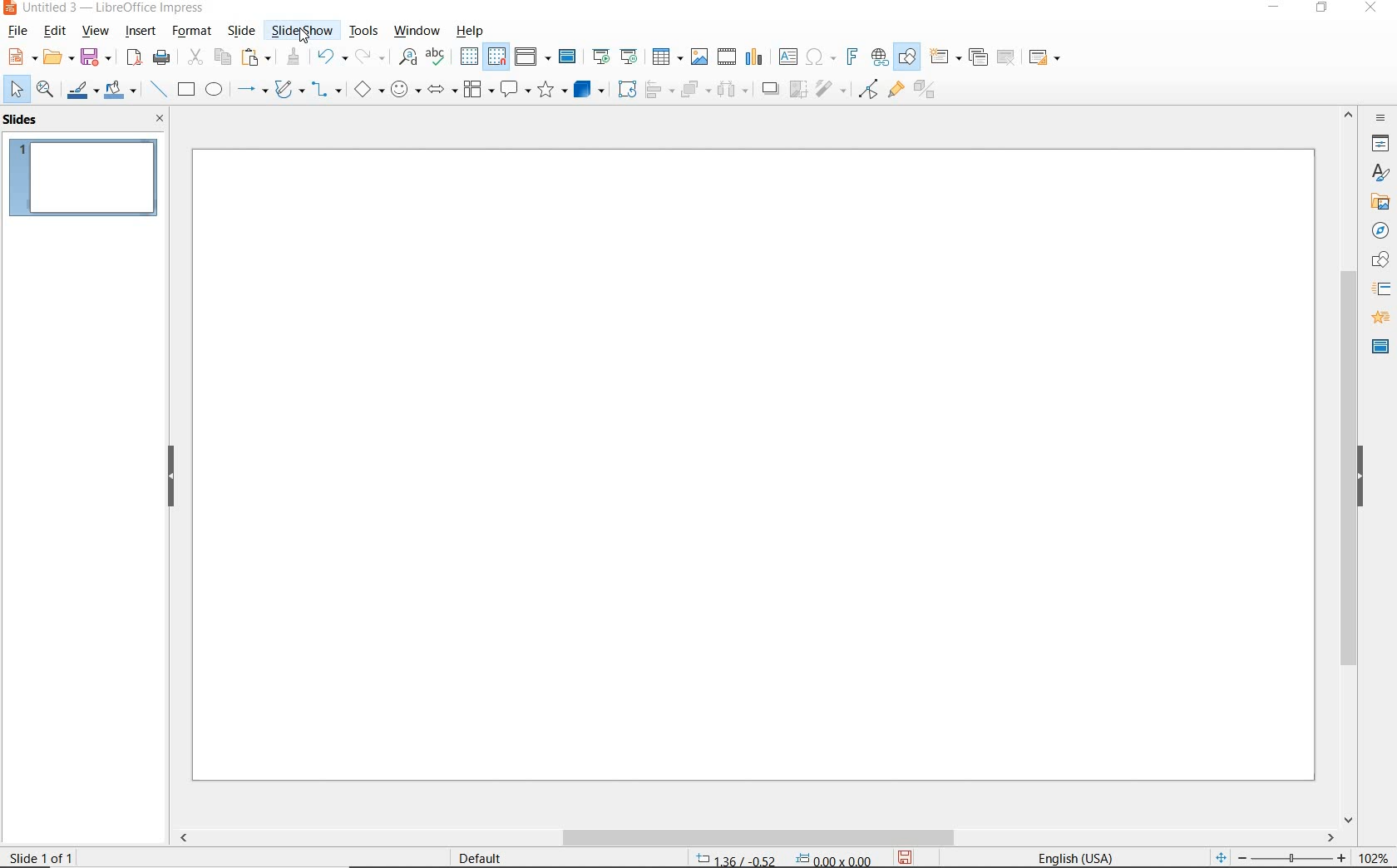  I want to click on SIDEBAR SETTINGS, so click(1380, 119).